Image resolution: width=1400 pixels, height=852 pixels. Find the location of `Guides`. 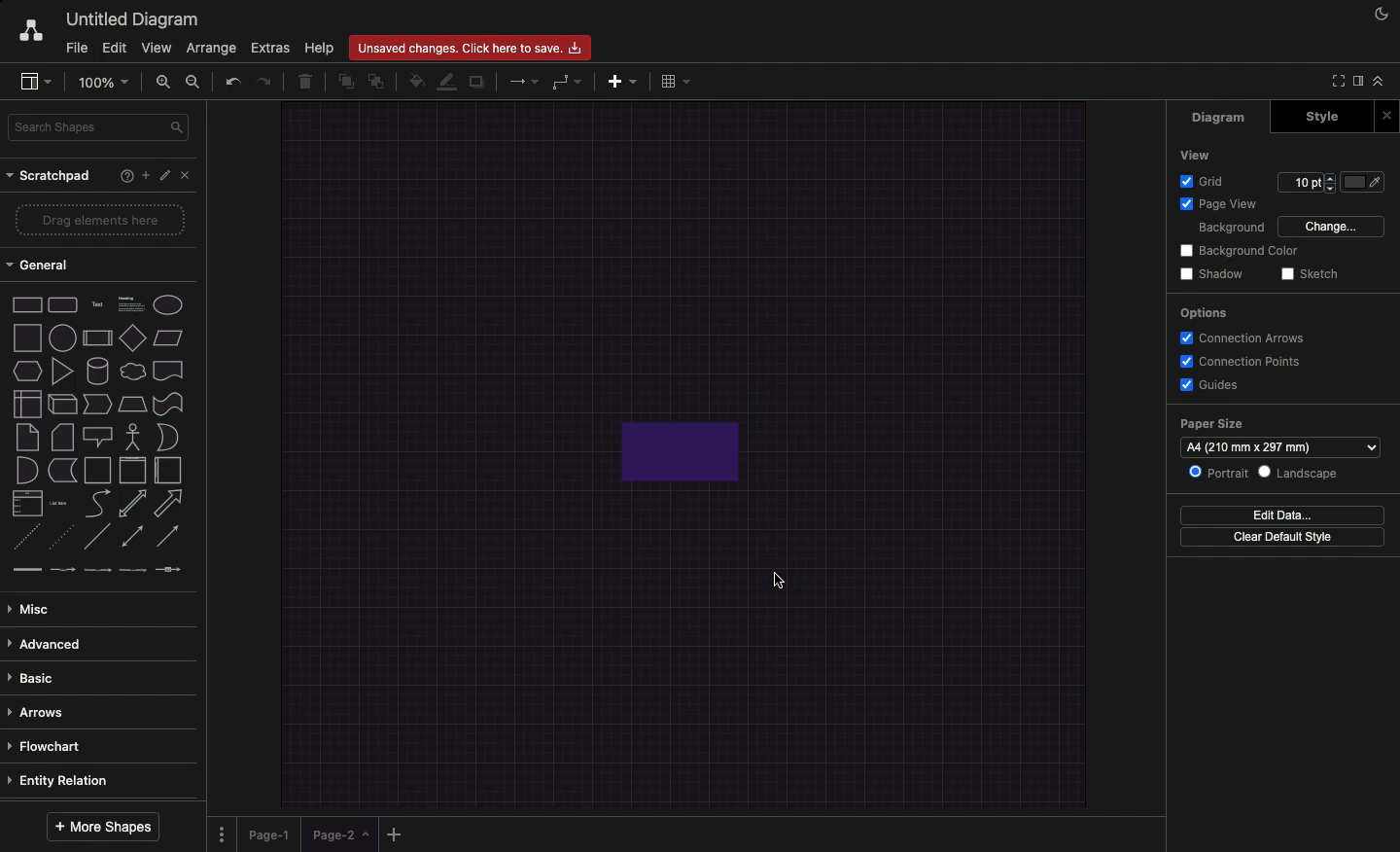

Guides is located at coordinates (1212, 387).